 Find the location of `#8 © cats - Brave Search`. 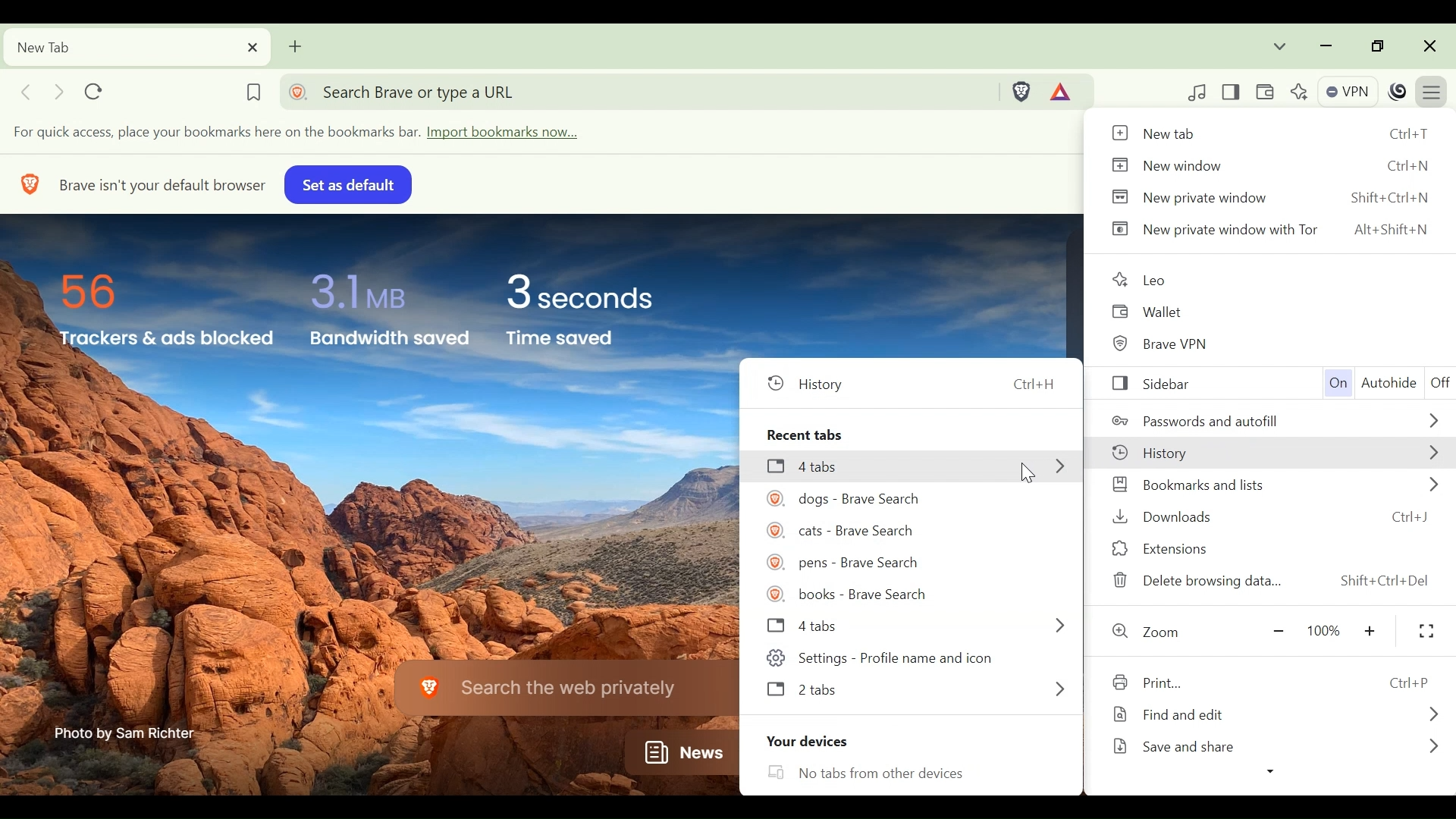

#8 © cats - Brave Search is located at coordinates (846, 530).